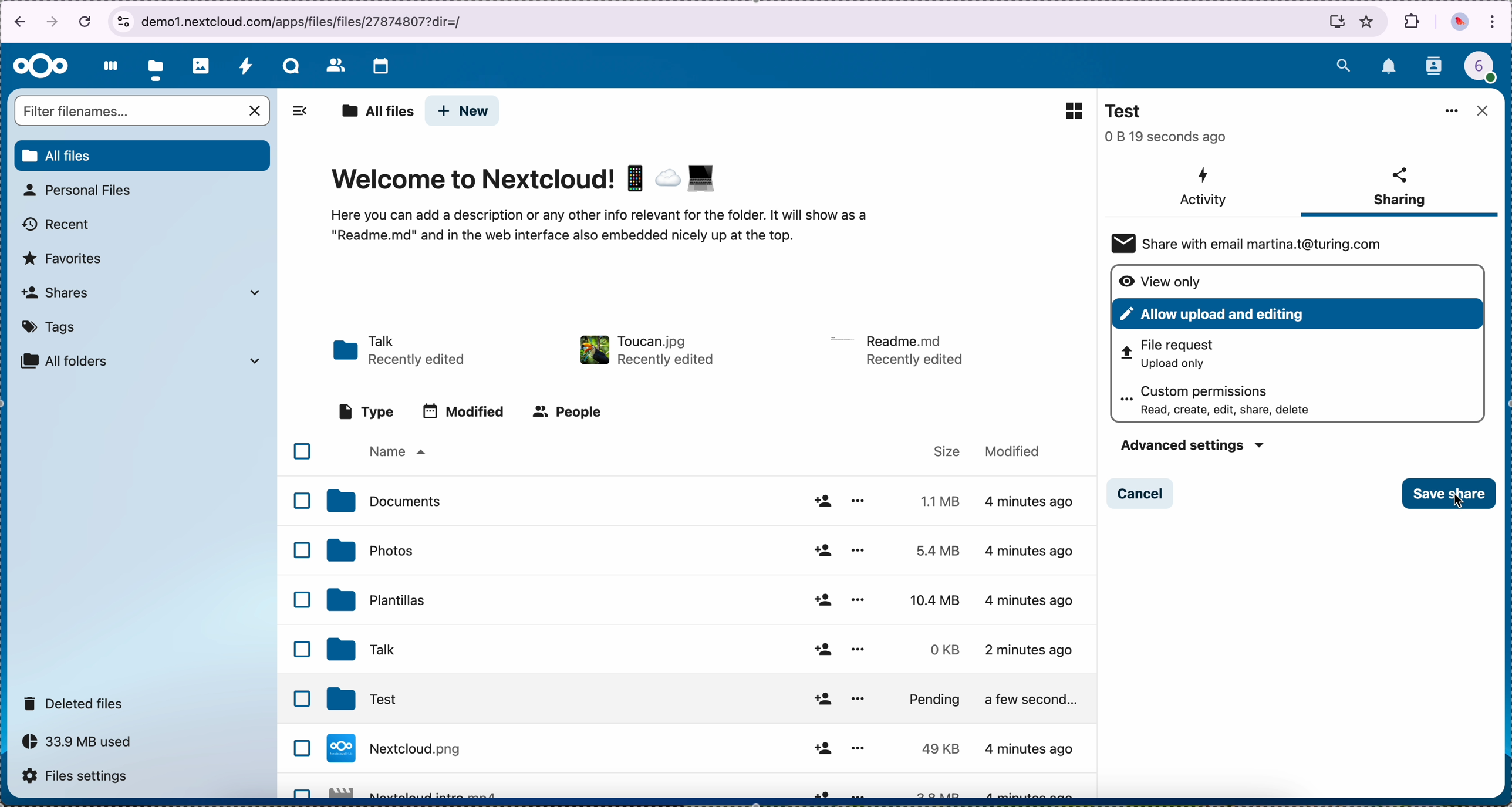 This screenshot has height=807, width=1512. I want to click on more options, so click(1452, 112).